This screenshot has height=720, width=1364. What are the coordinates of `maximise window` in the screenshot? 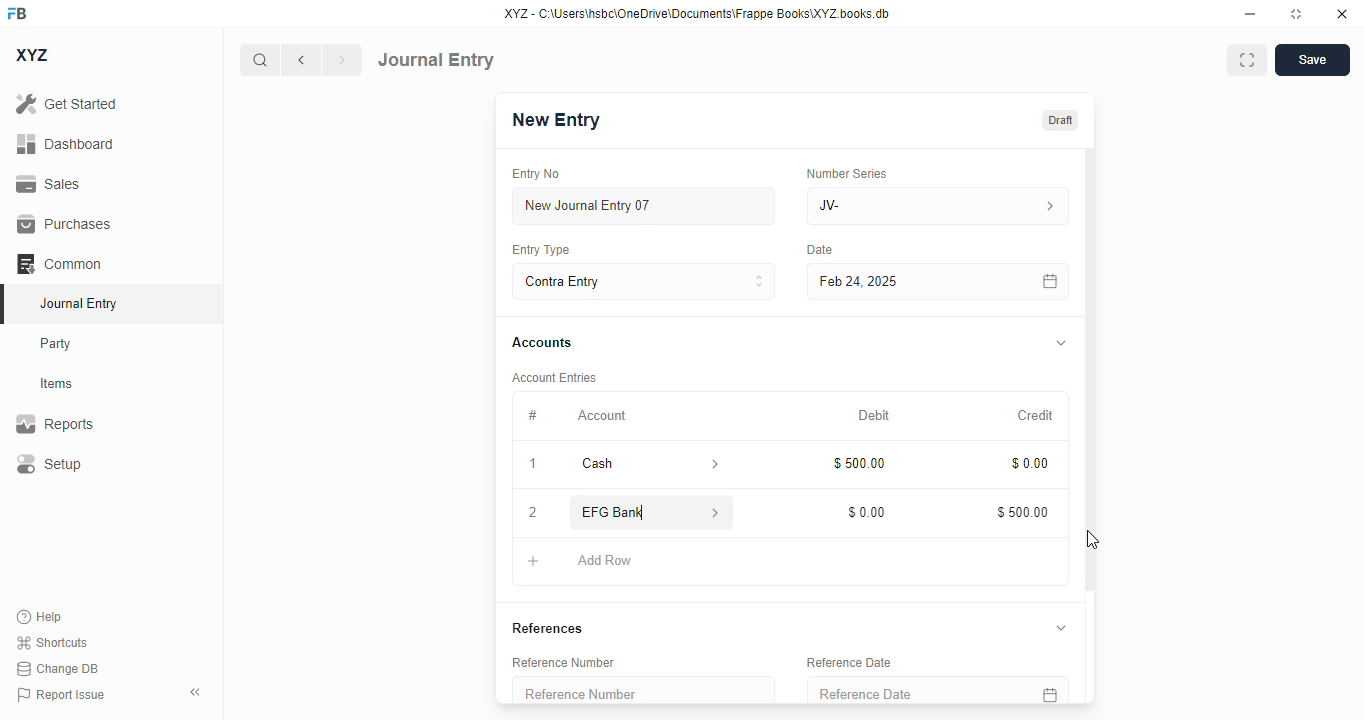 It's located at (1247, 60).